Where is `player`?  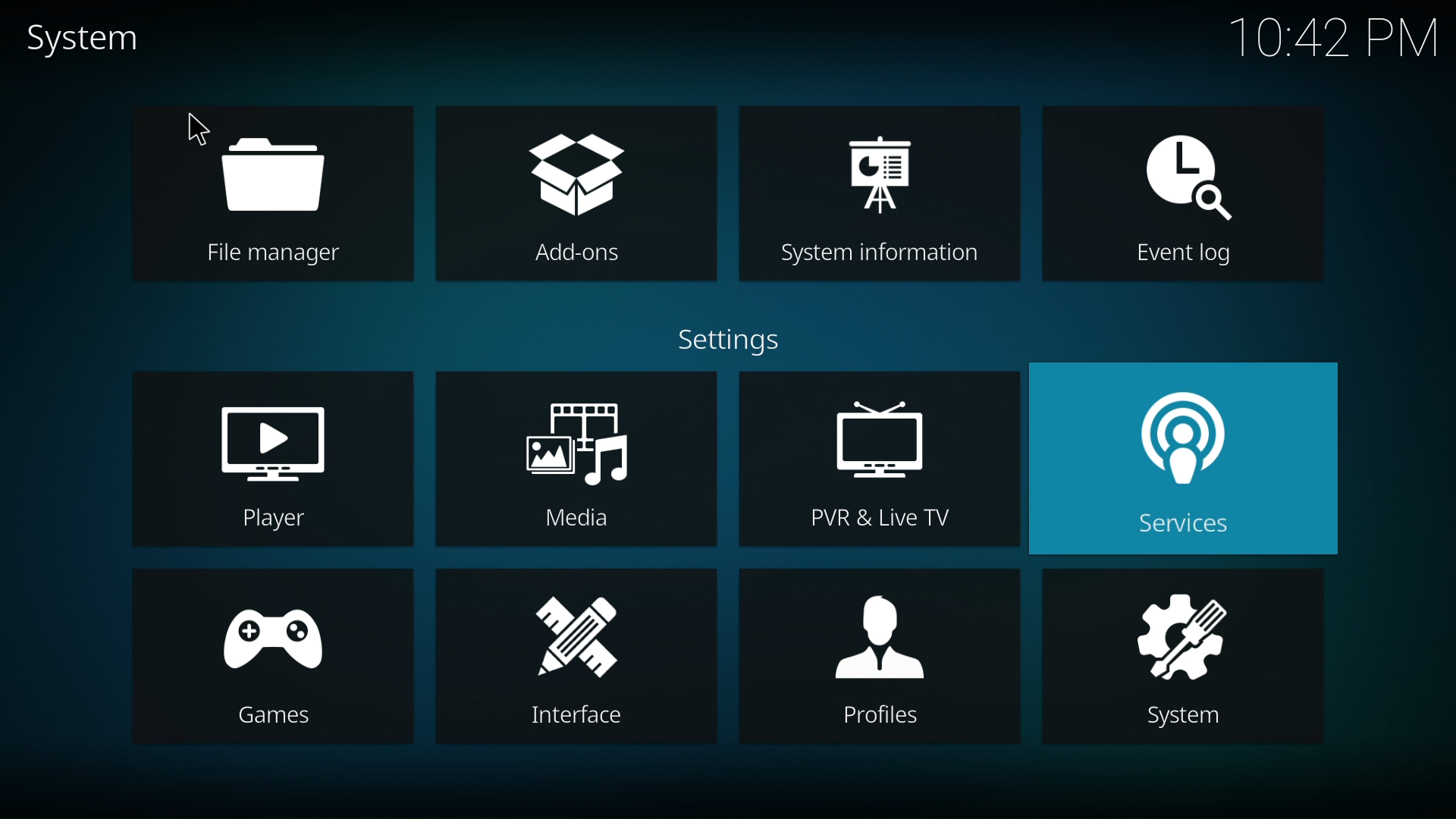
player is located at coordinates (270, 458).